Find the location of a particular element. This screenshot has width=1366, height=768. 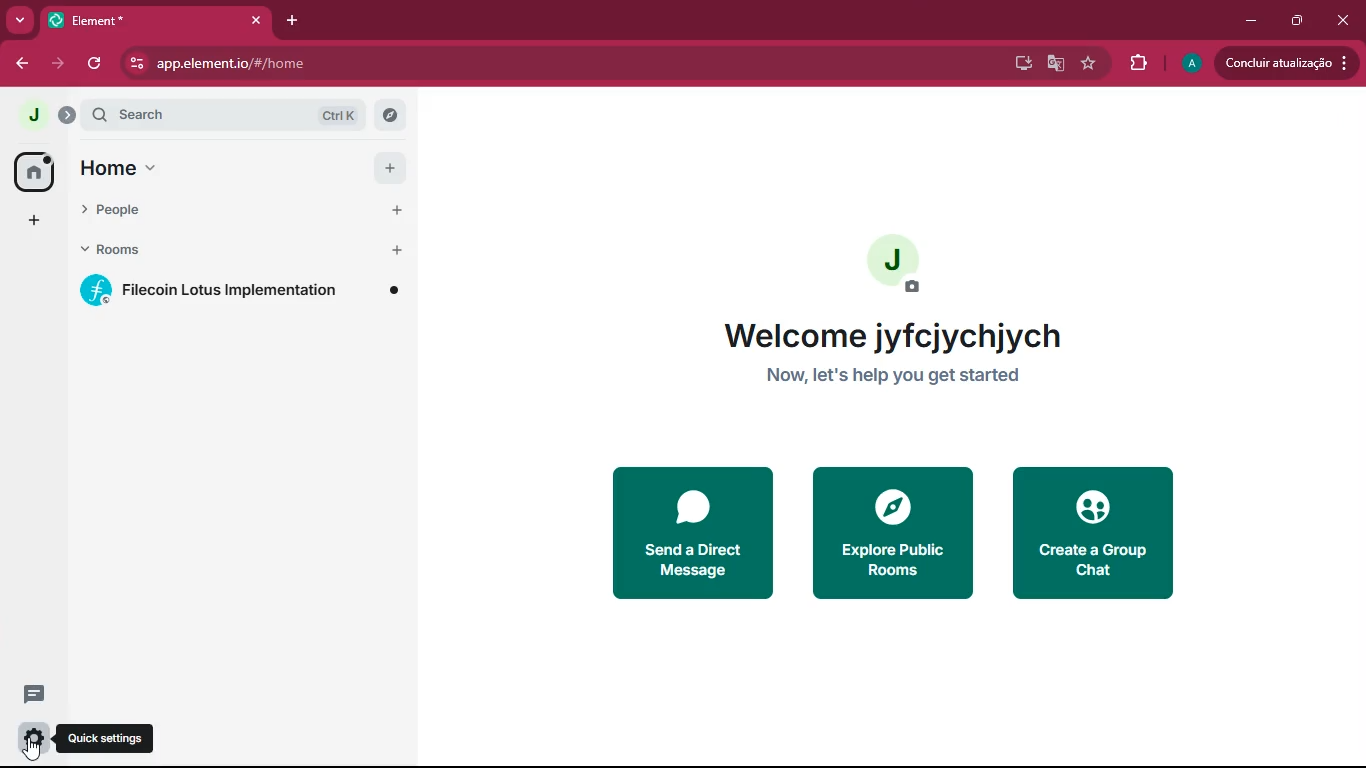

add is located at coordinates (390, 167).